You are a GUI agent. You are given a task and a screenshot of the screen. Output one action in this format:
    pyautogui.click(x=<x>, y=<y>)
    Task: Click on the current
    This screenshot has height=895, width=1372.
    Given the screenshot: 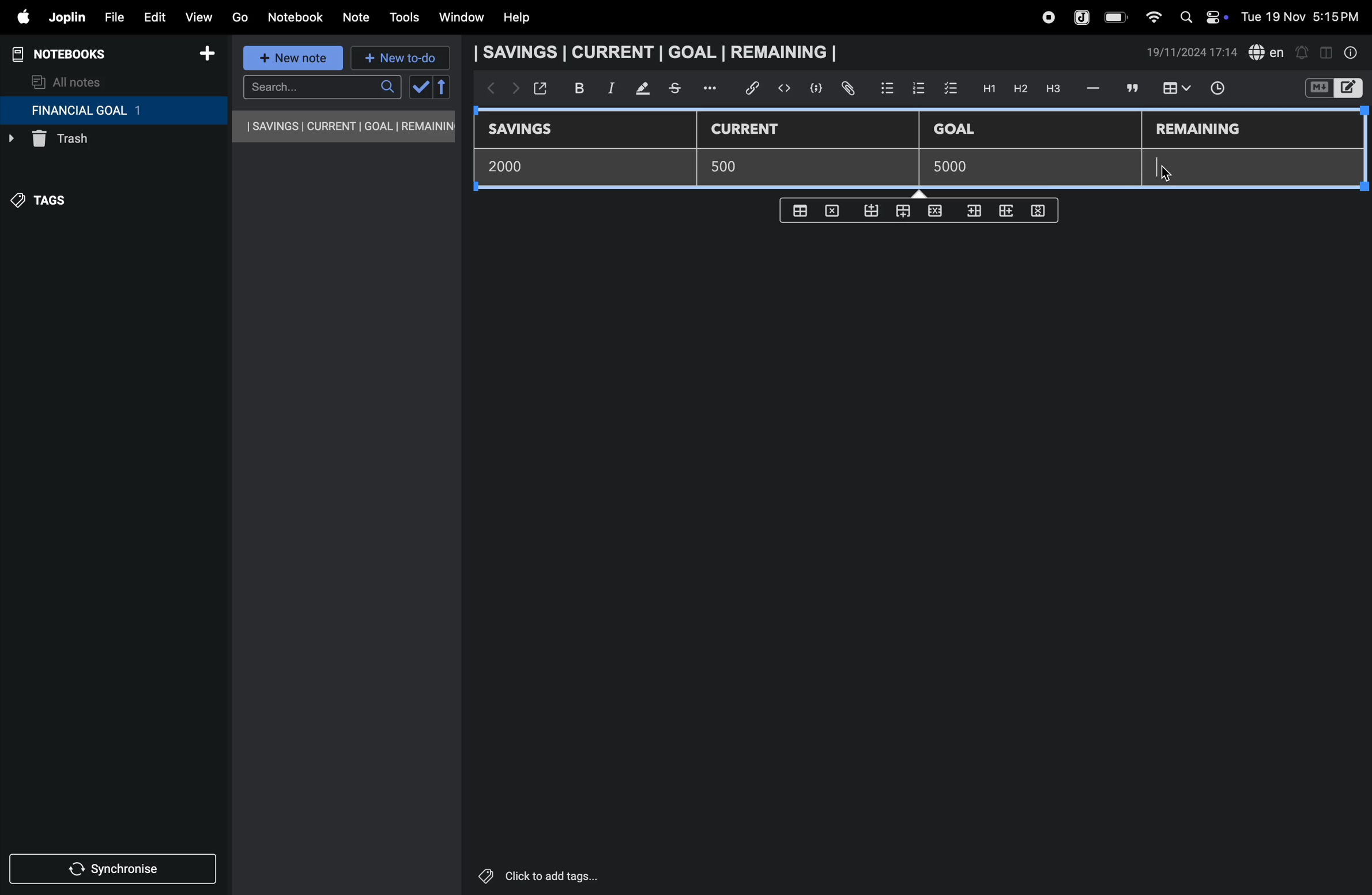 What is the action you would take?
    pyautogui.click(x=753, y=130)
    